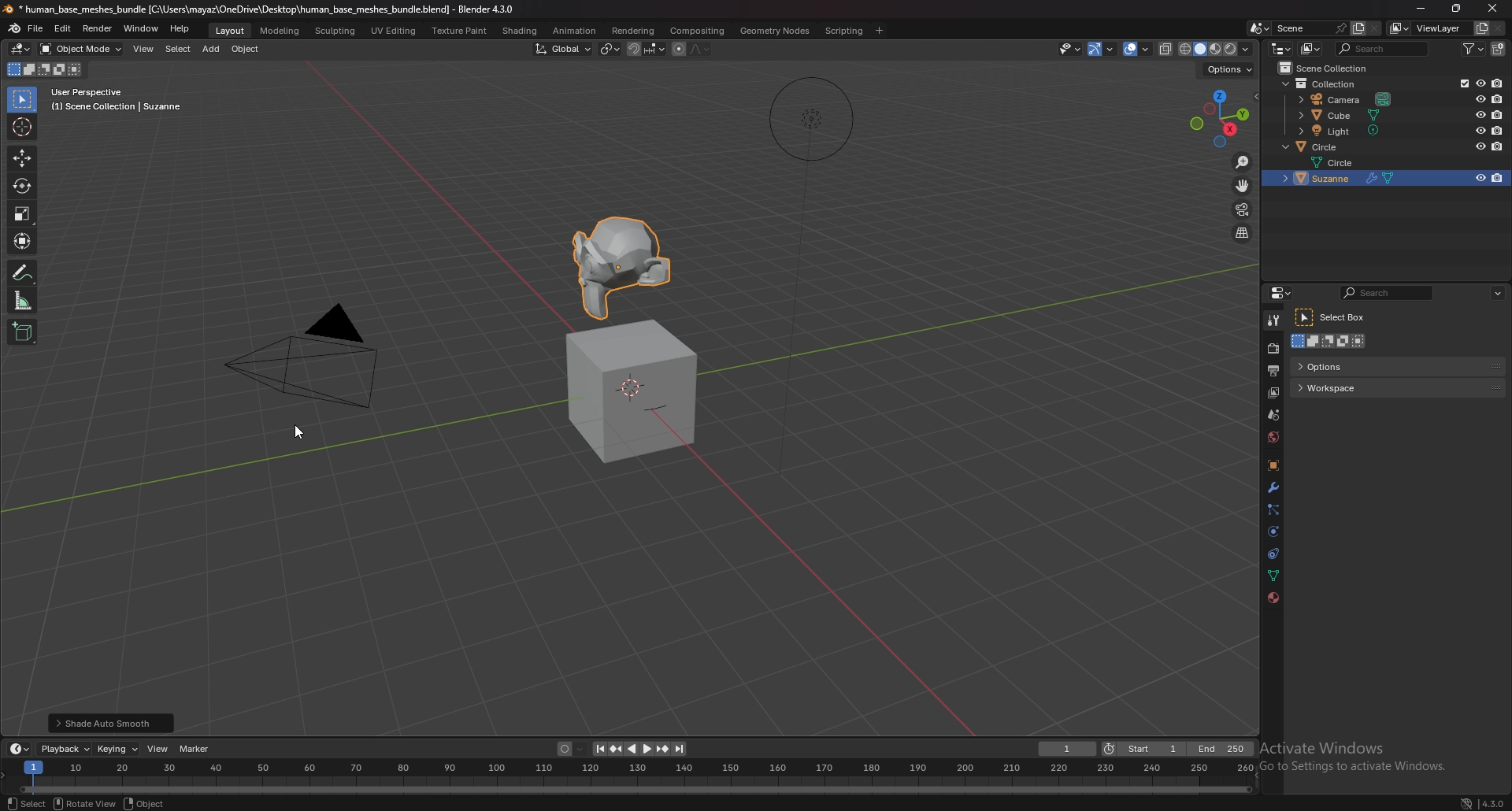  What do you see at coordinates (24, 272) in the screenshot?
I see `annotate` at bounding box center [24, 272].